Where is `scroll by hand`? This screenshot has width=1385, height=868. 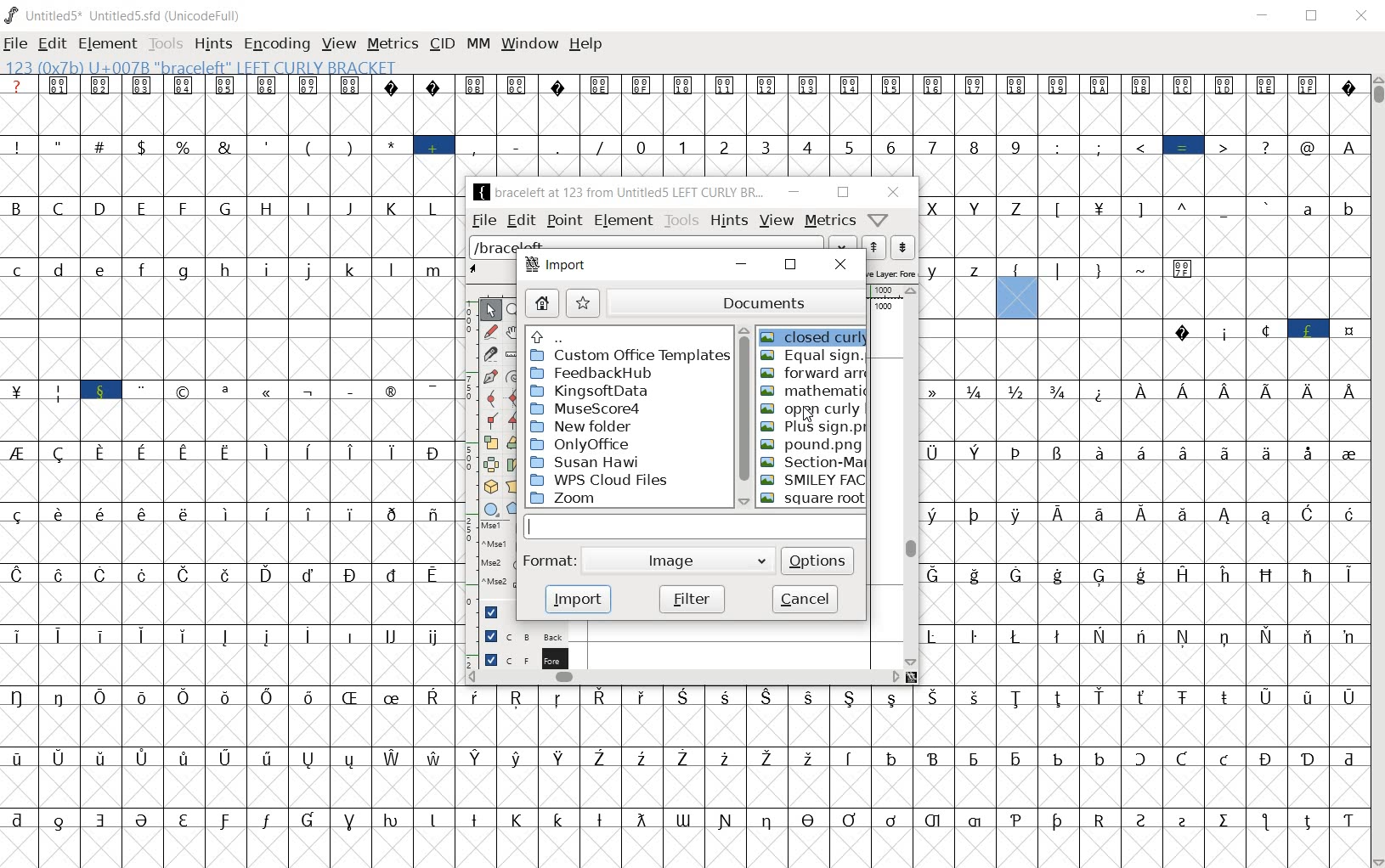
scroll by hand is located at coordinates (514, 333).